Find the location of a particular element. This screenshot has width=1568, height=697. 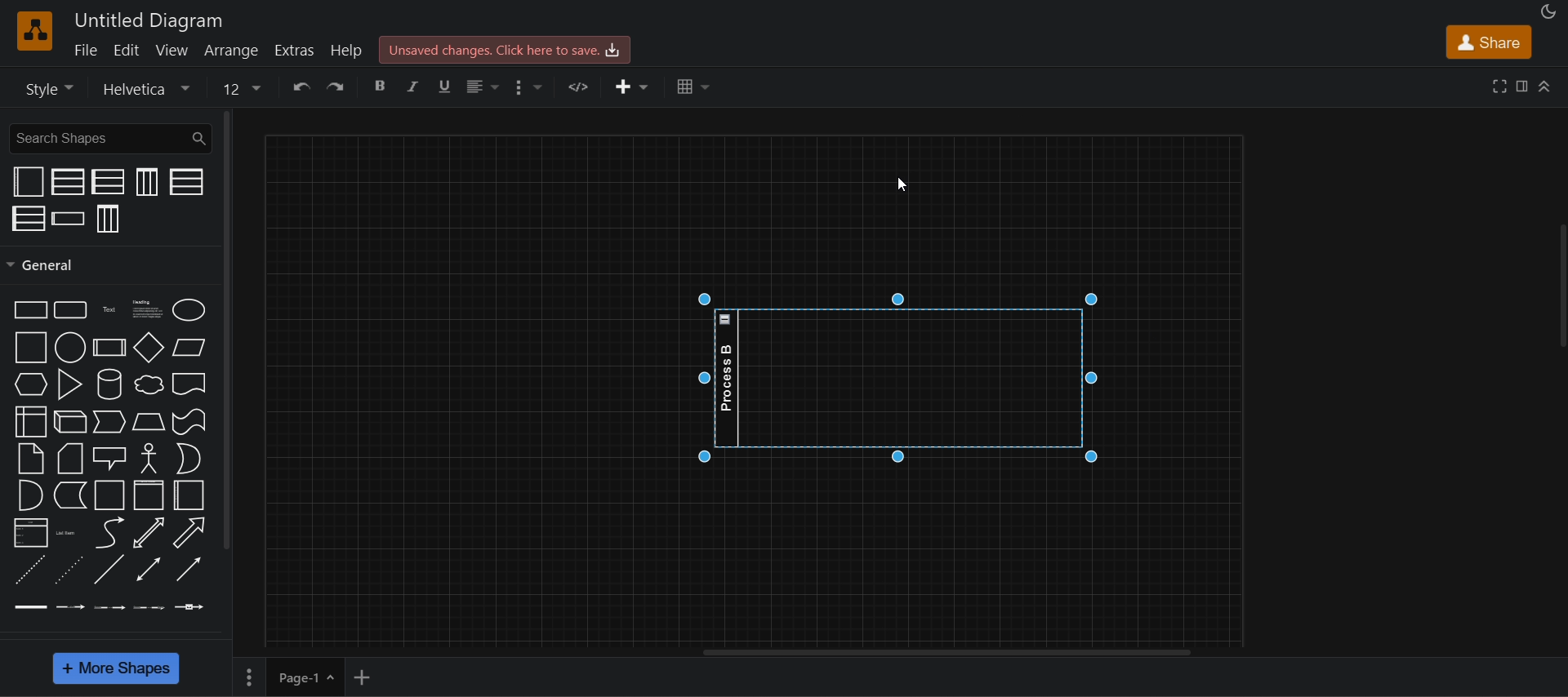

alignment is located at coordinates (479, 88).